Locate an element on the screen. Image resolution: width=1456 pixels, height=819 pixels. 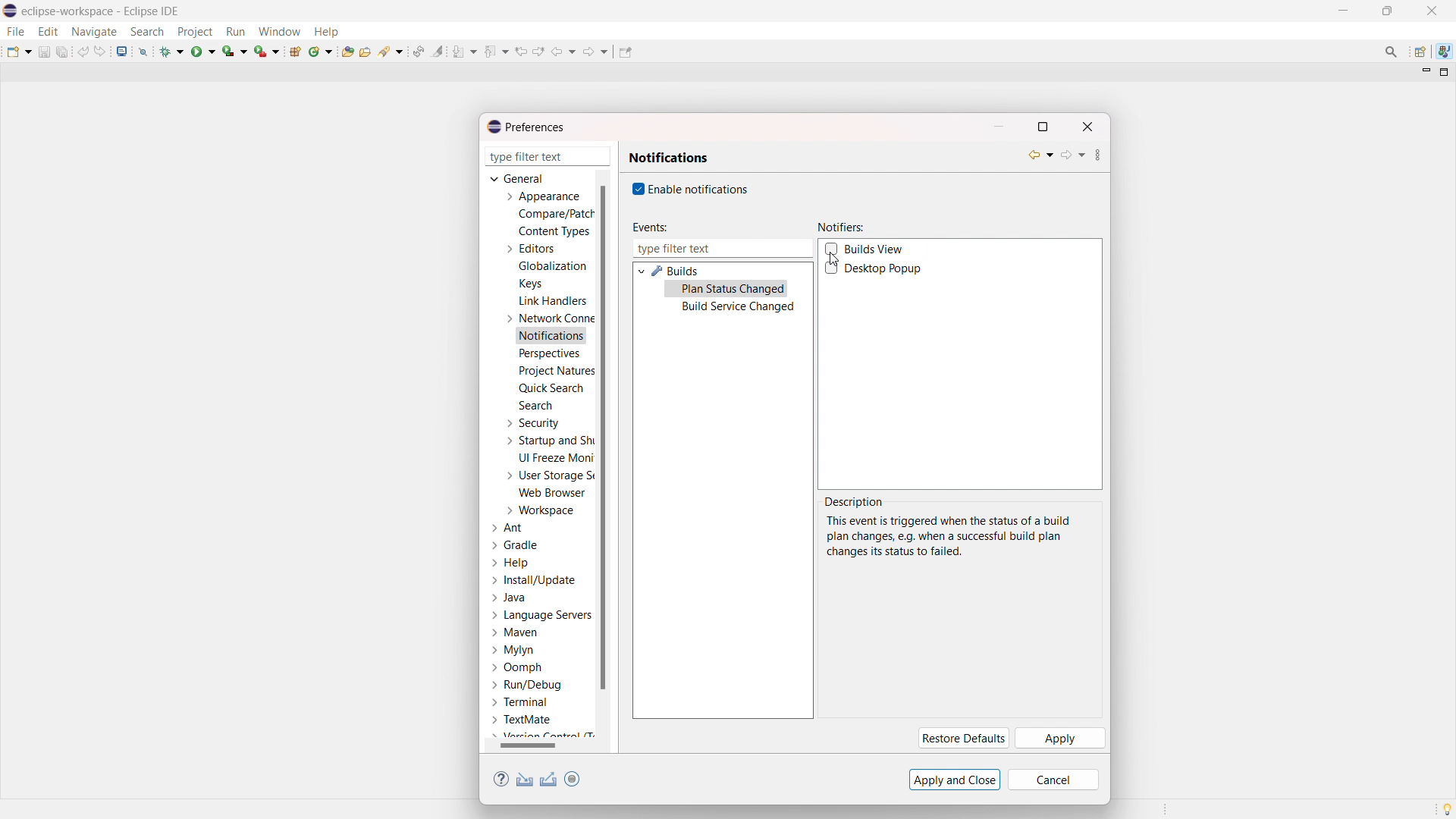
new java project is located at coordinates (297, 52).